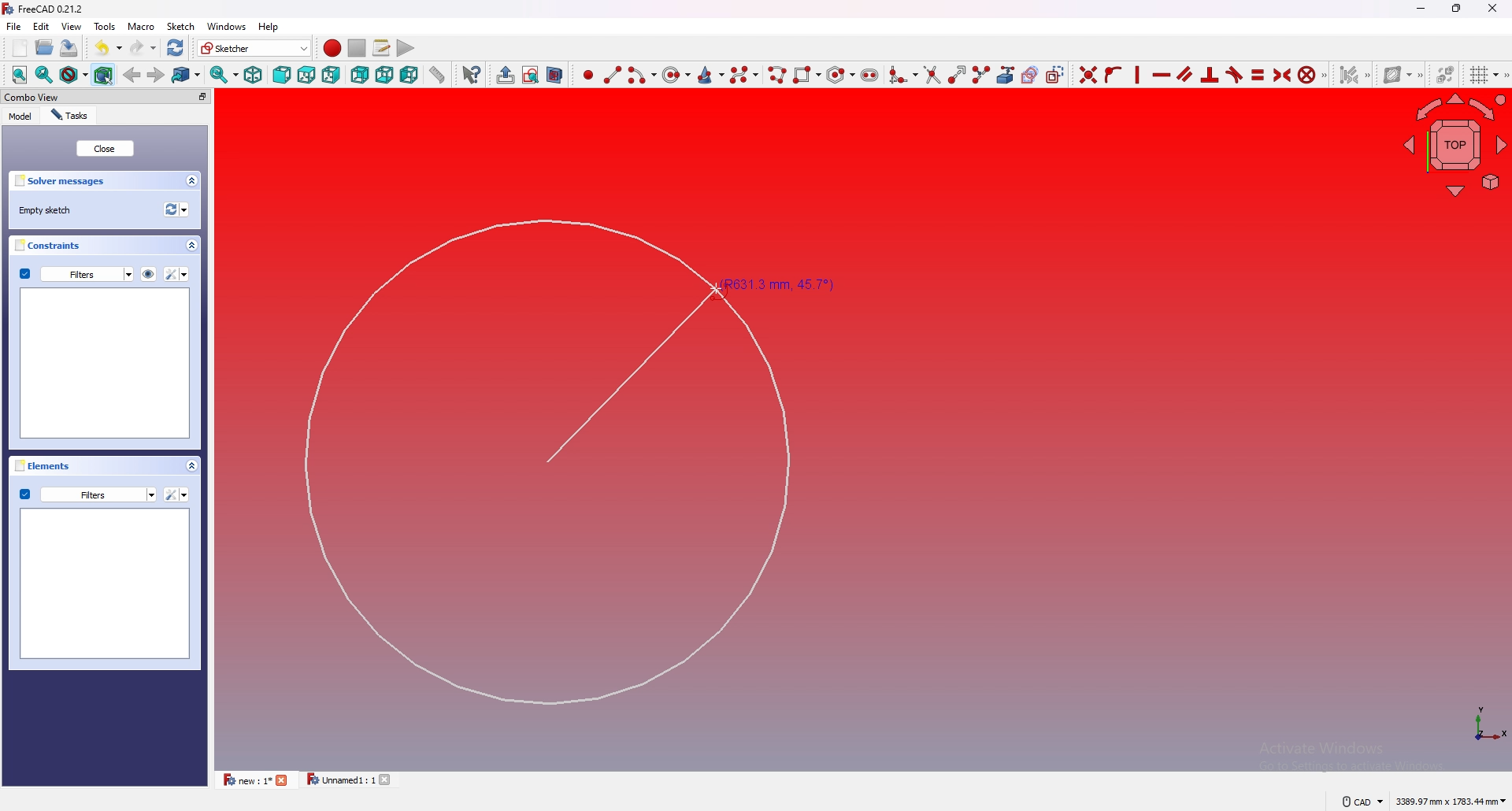  What do you see at coordinates (1283, 73) in the screenshot?
I see `constrain symmetrical` at bounding box center [1283, 73].